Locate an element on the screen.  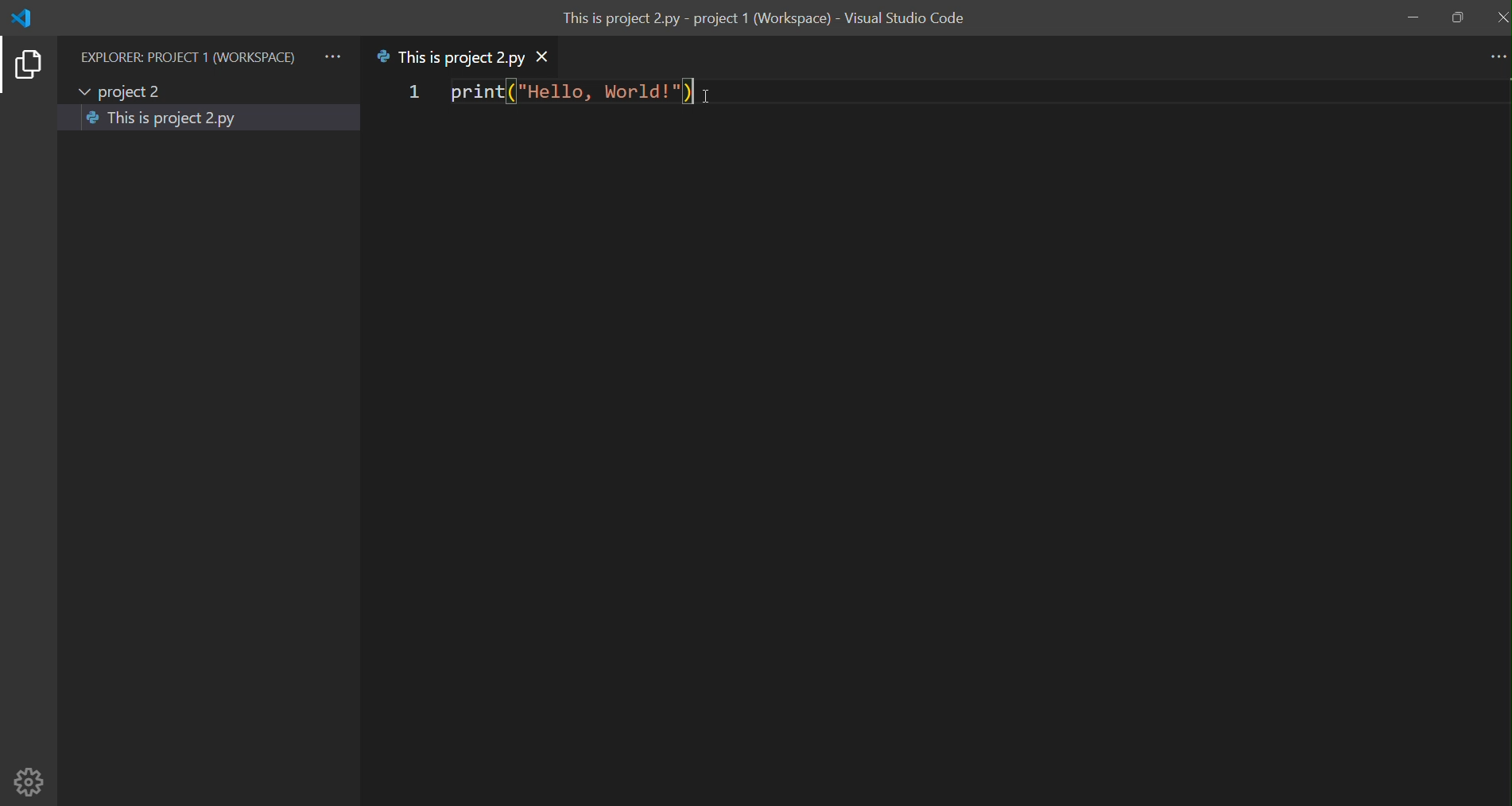
manage is located at coordinates (30, 781).